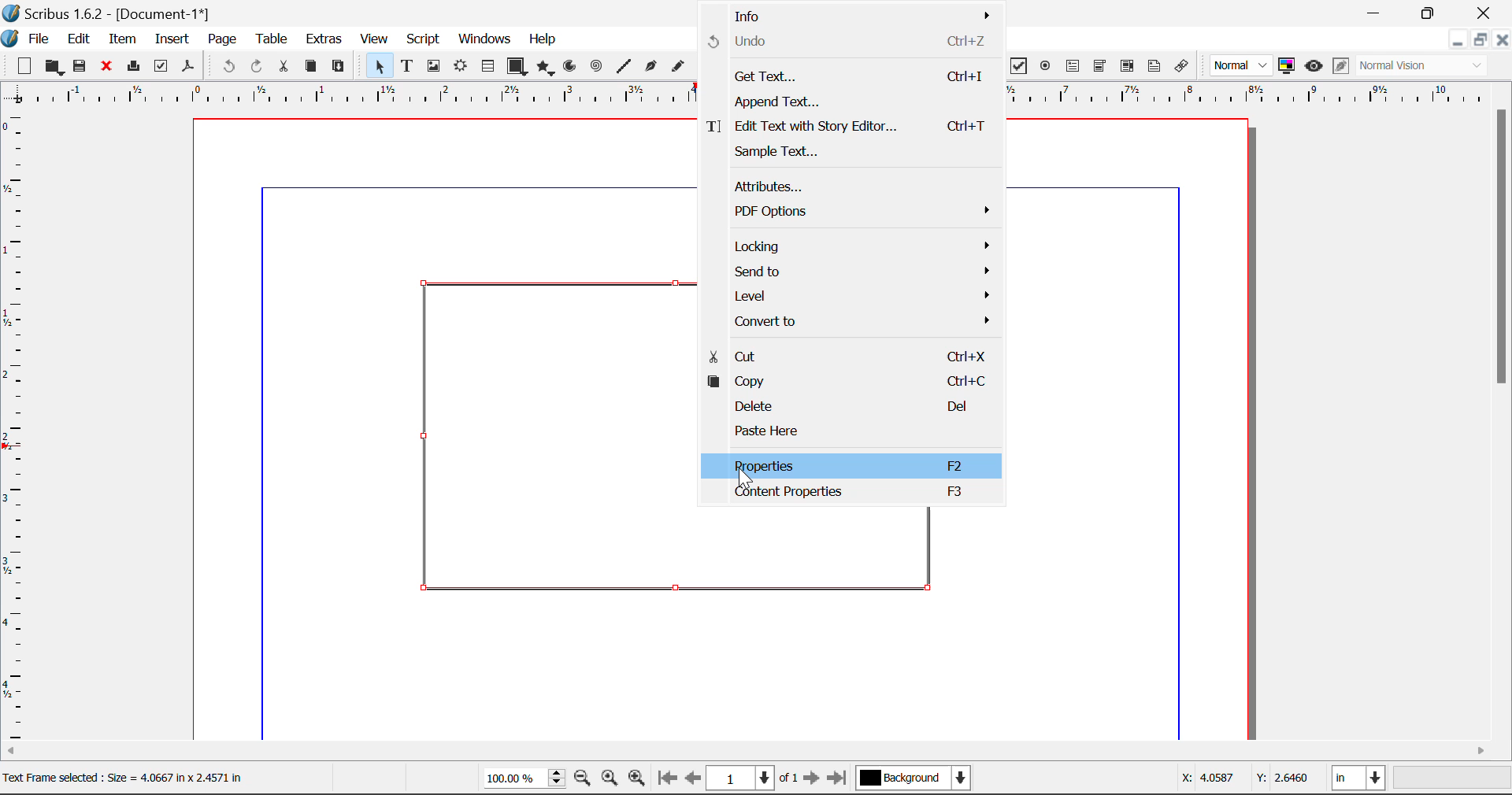  I want to click on Pdf Radio Button, so click(1045, 67).